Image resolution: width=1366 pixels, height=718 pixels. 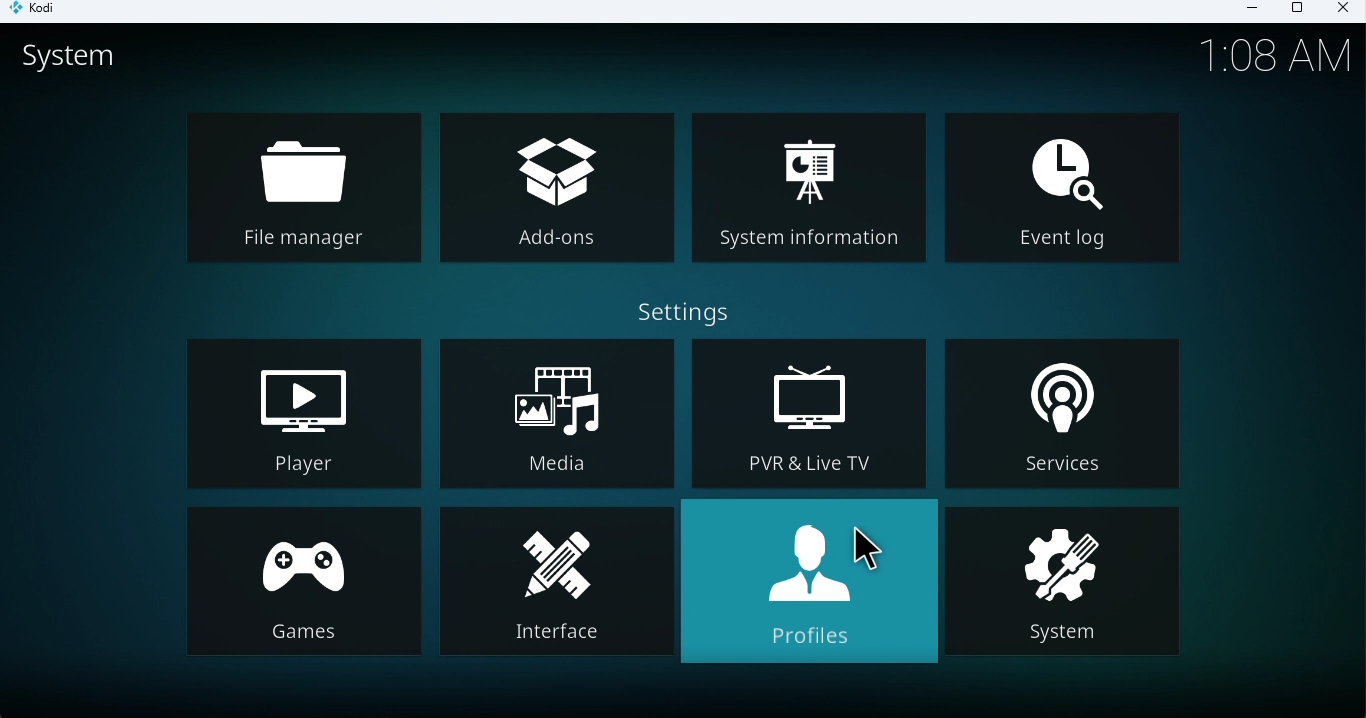 I want to click on PVR & Live TV, so click(x=812, y=414).